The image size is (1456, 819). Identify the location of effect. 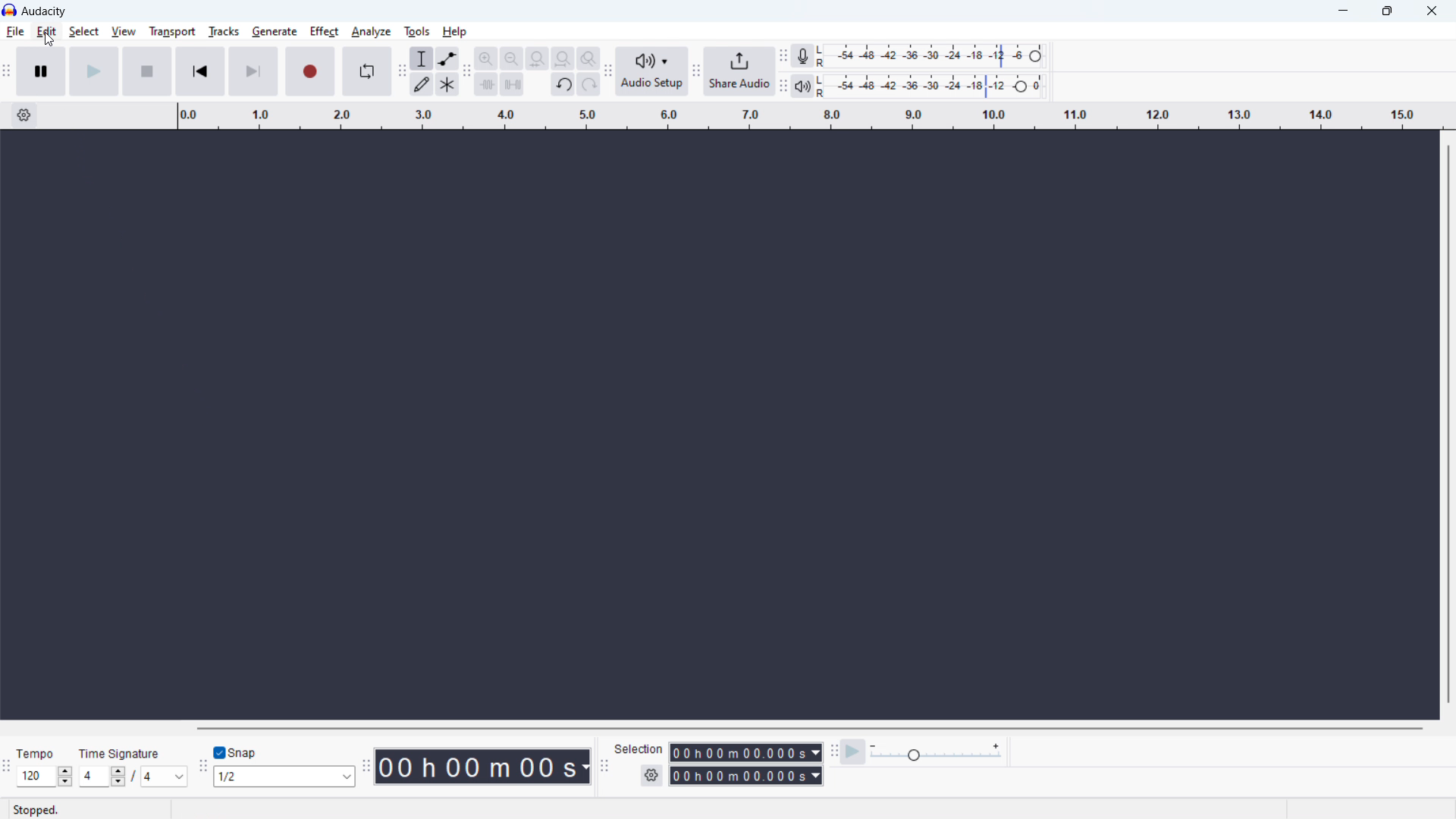
(324, 31).